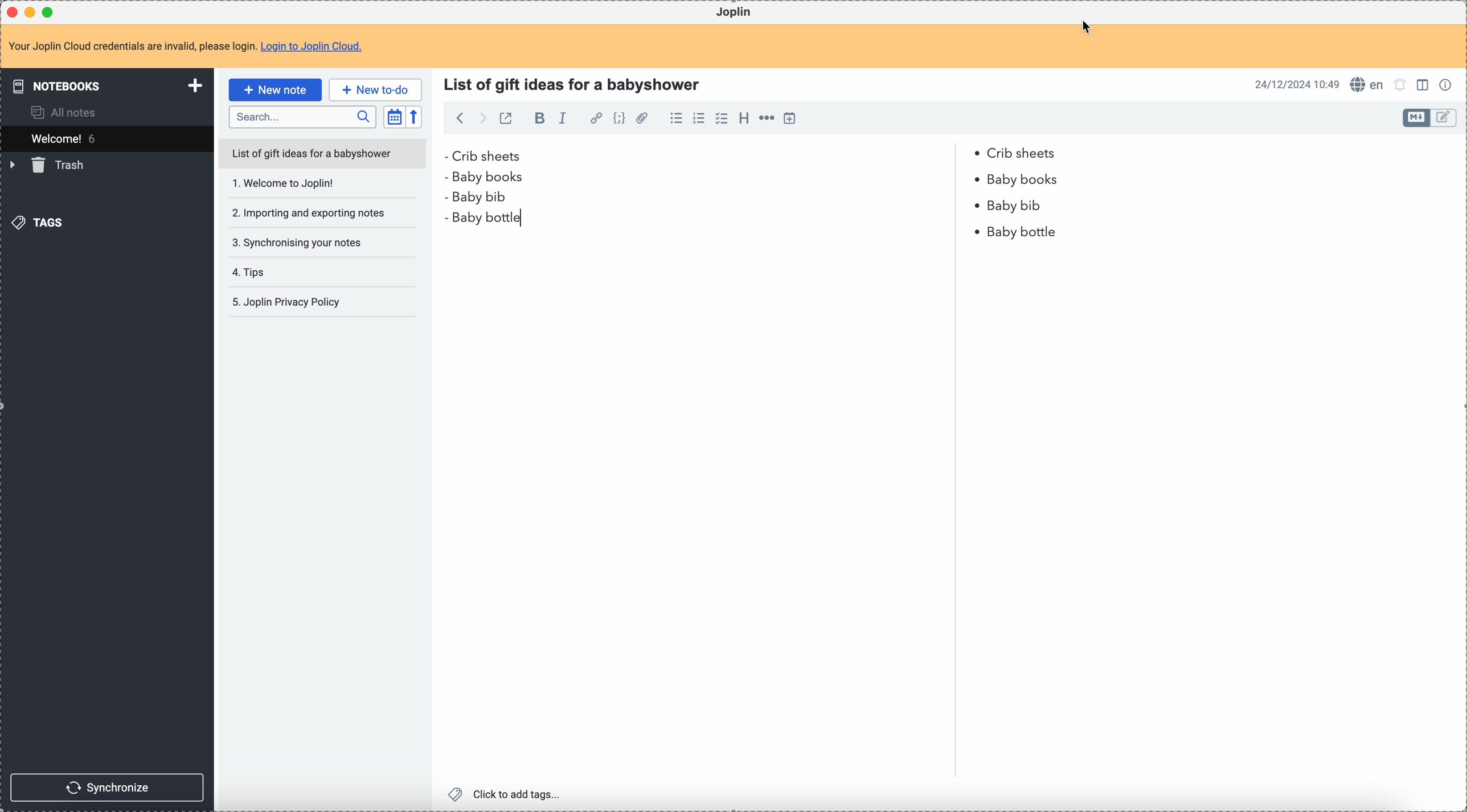 The image size is (1467, 812). What do you see at coordinates (977, 180) in the screenshot?
I see `bullet point` at bounding box center [977, 180].